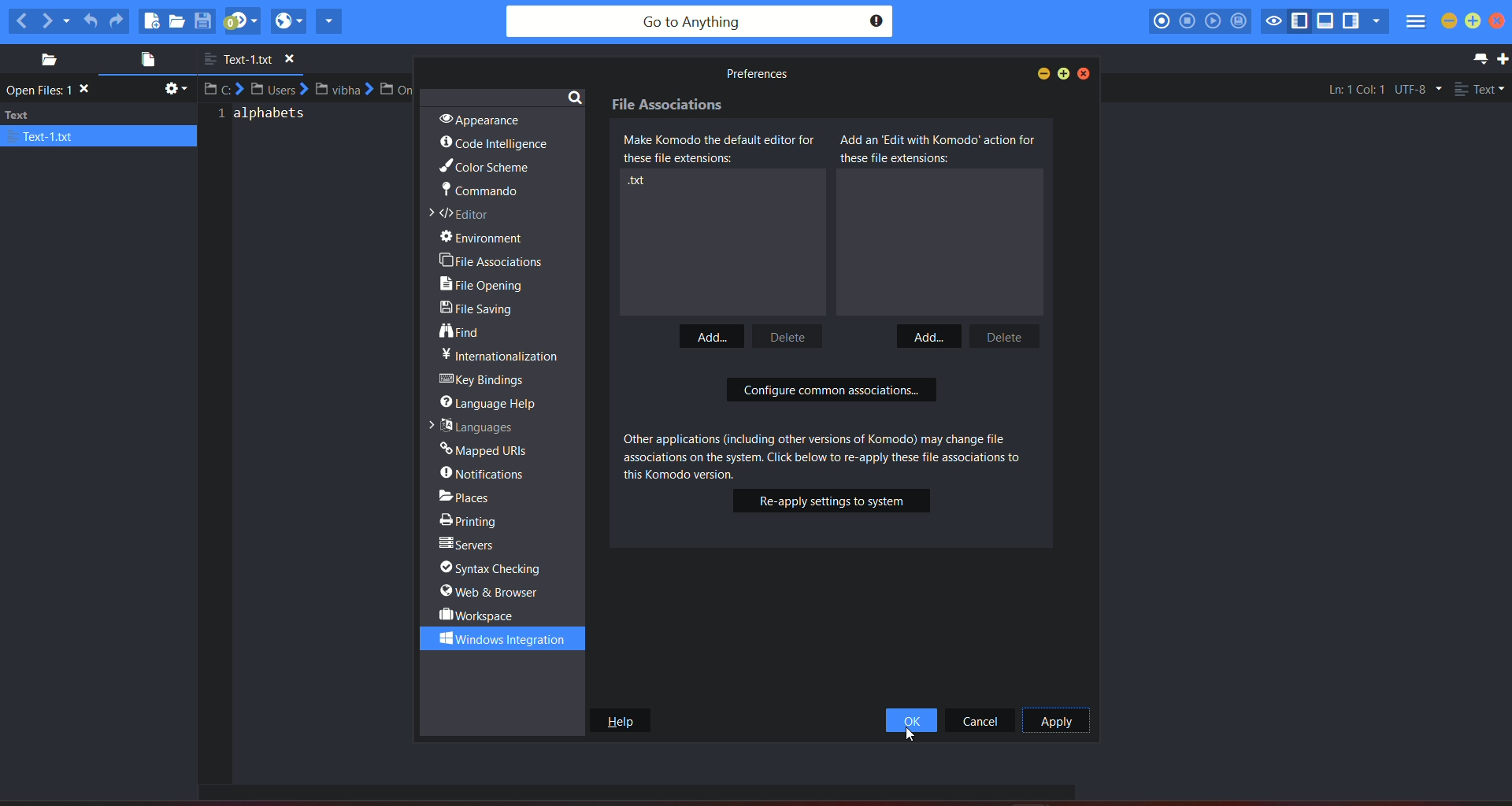  I want to click on delete, so click(792, 335).